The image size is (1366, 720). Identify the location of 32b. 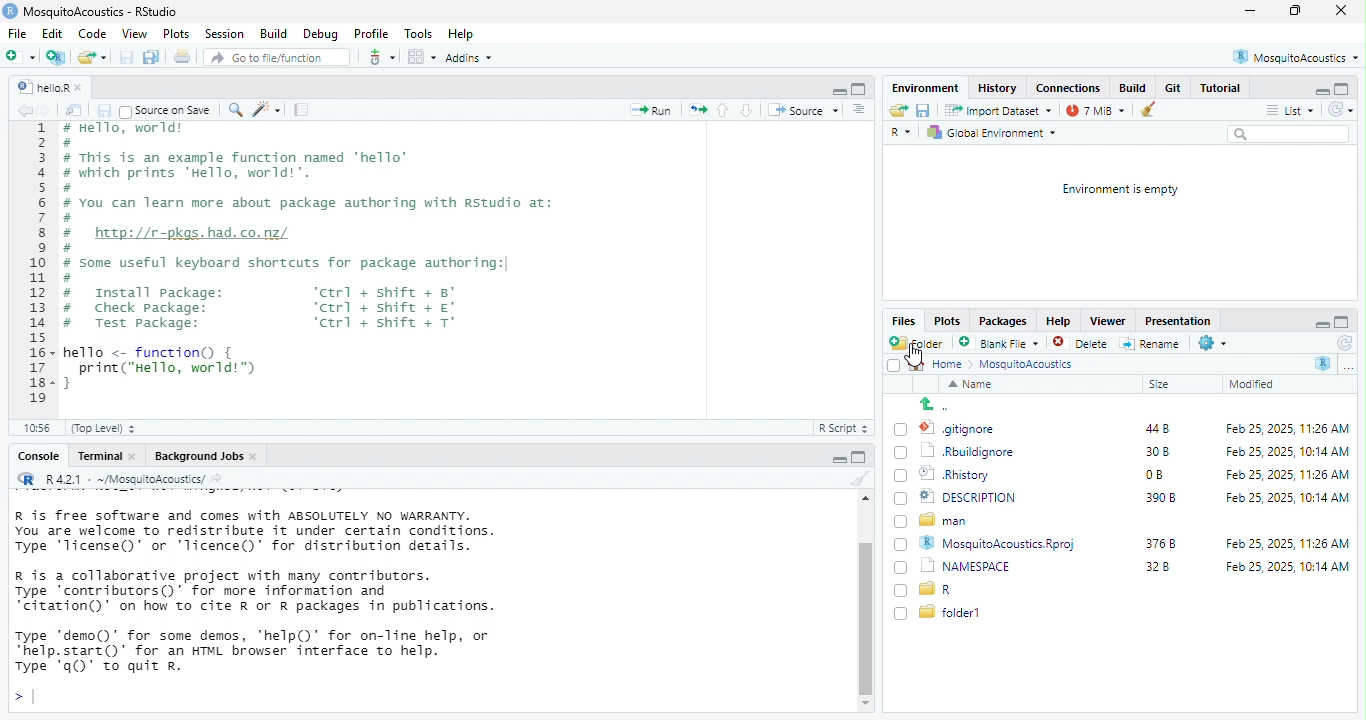
(1167, 570).